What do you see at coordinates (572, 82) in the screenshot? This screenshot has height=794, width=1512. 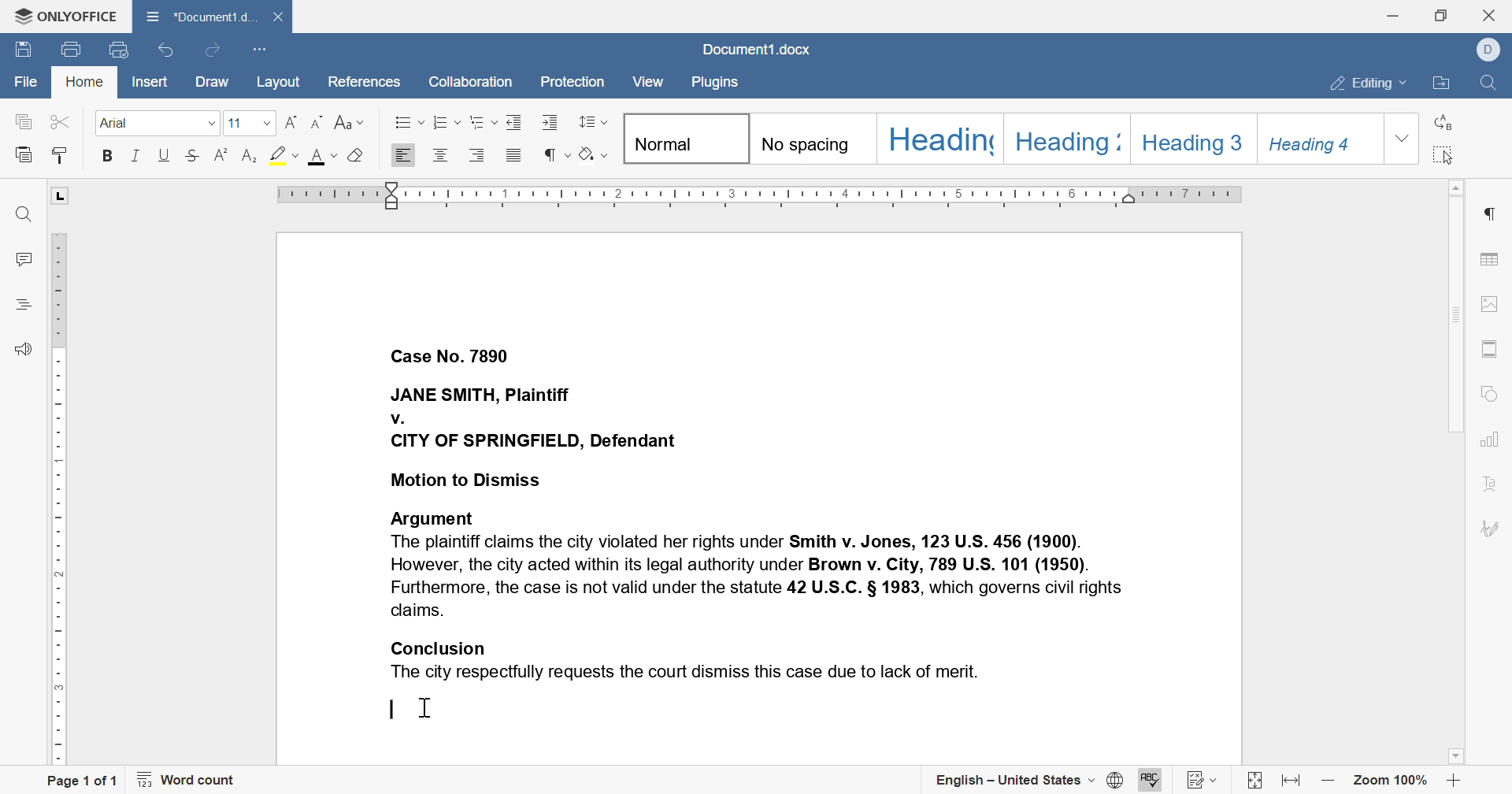 I see `protection` at bounding box center [572, 82].